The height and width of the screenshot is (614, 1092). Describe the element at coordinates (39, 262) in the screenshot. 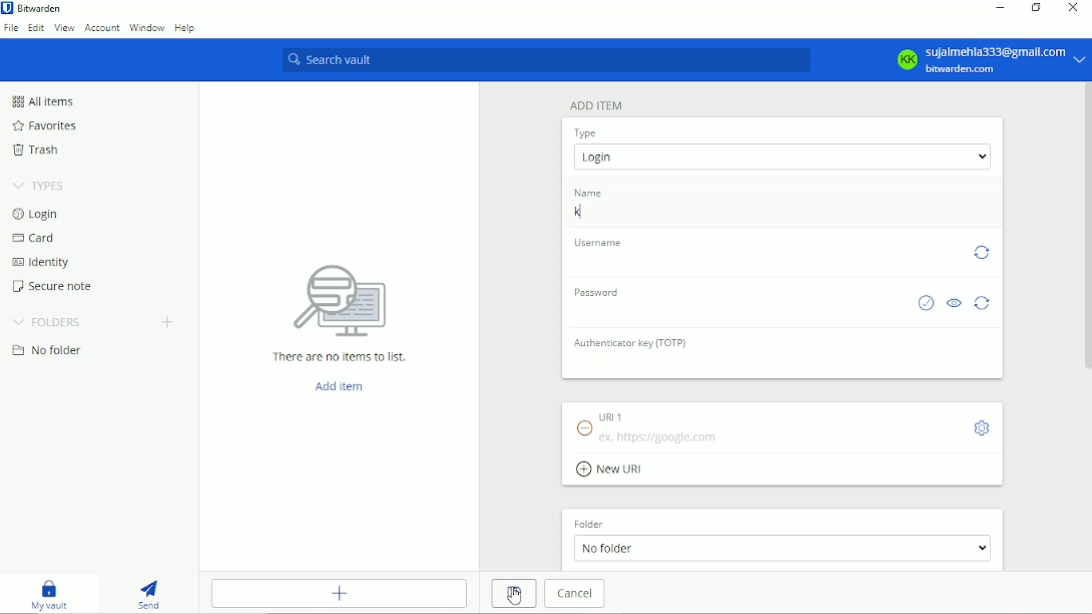

I see `Identity` at that location.